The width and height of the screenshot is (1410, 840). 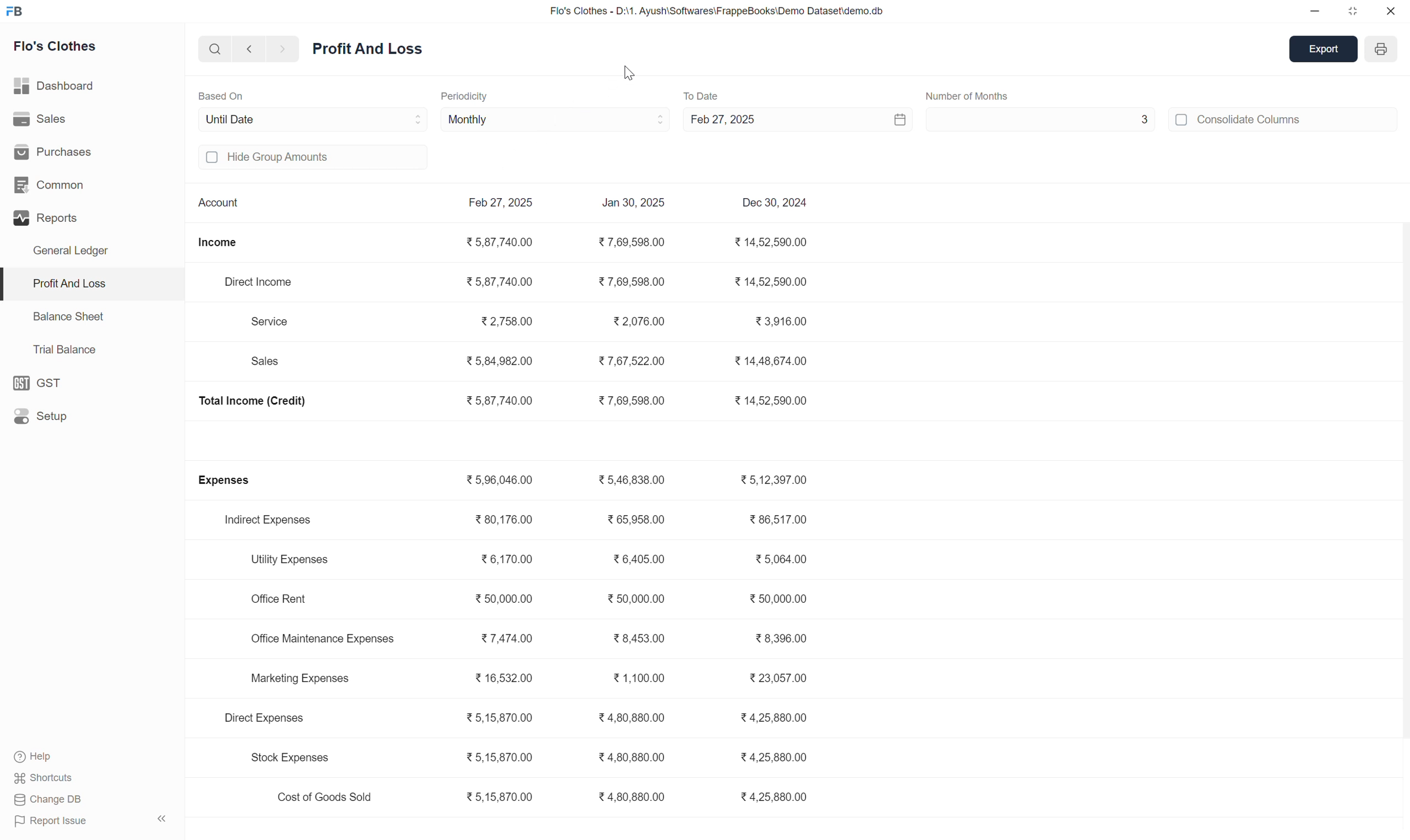 What do you see at coordinates (882, 119) in the screenshot?
I see `Calendar` at bounding box center [882, 119].